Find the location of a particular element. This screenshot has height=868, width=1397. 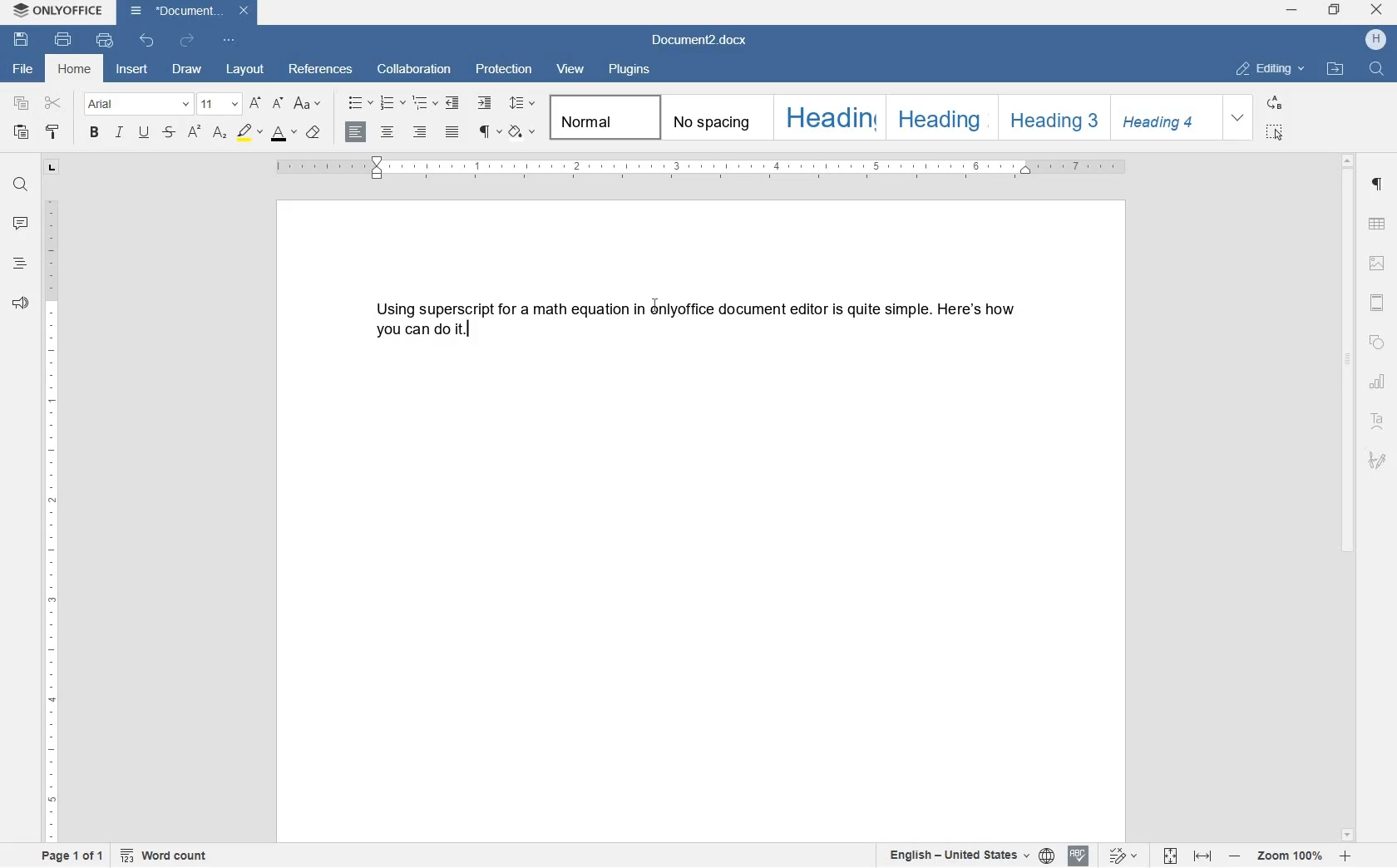

image is located at coordinates (1377, 263).